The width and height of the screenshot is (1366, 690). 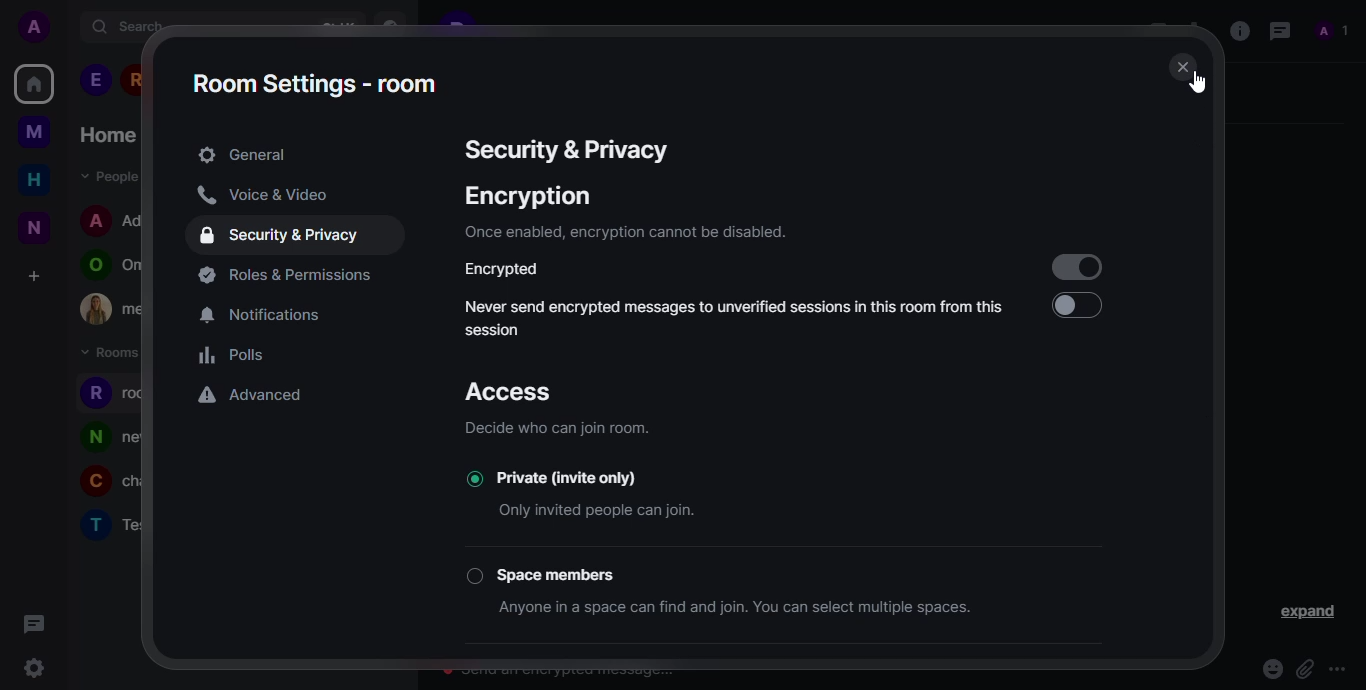 I want to click on encrypted, so click(x=510, y=270).